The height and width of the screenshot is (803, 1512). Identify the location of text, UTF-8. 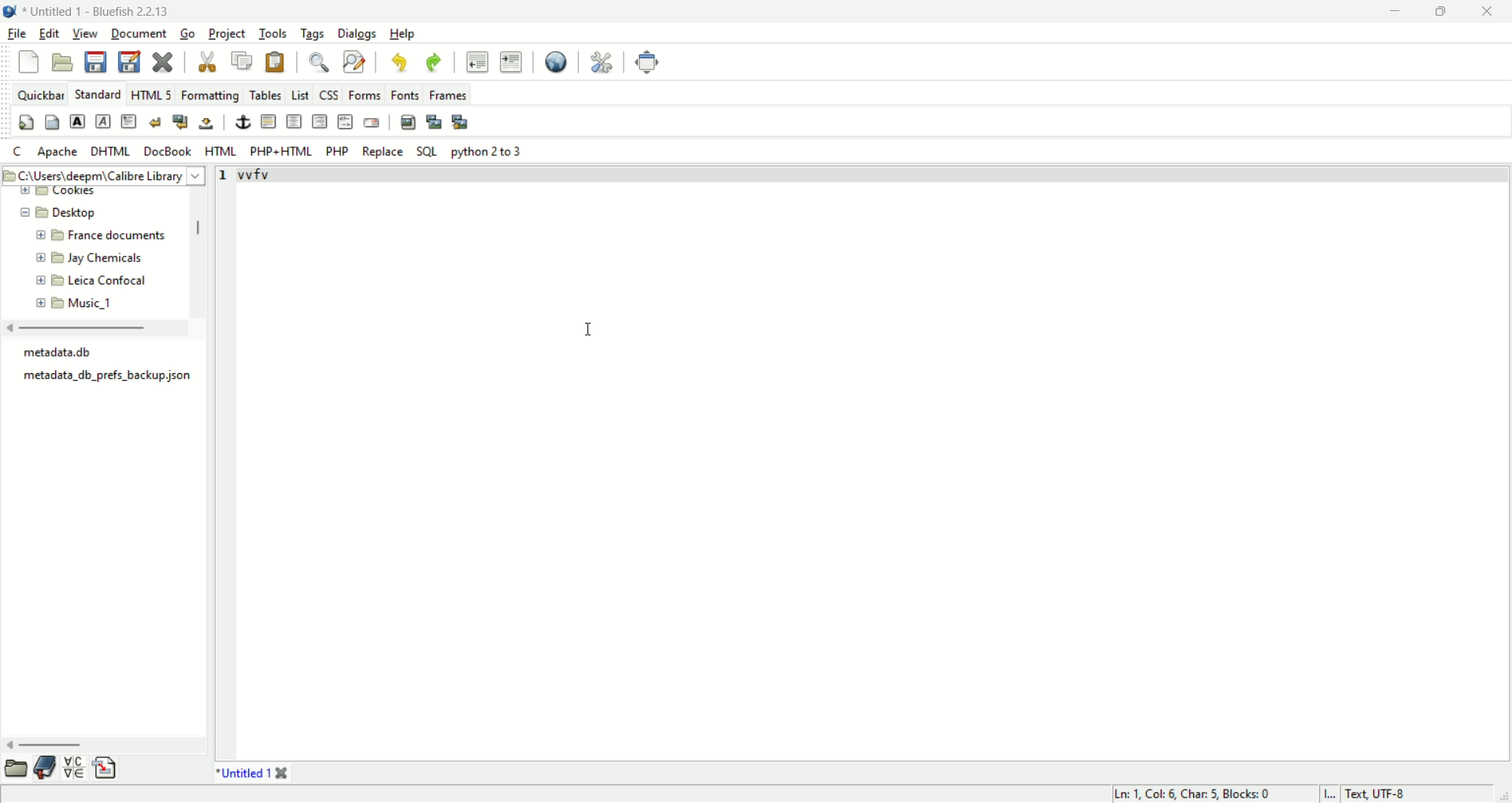
(1385, 794).